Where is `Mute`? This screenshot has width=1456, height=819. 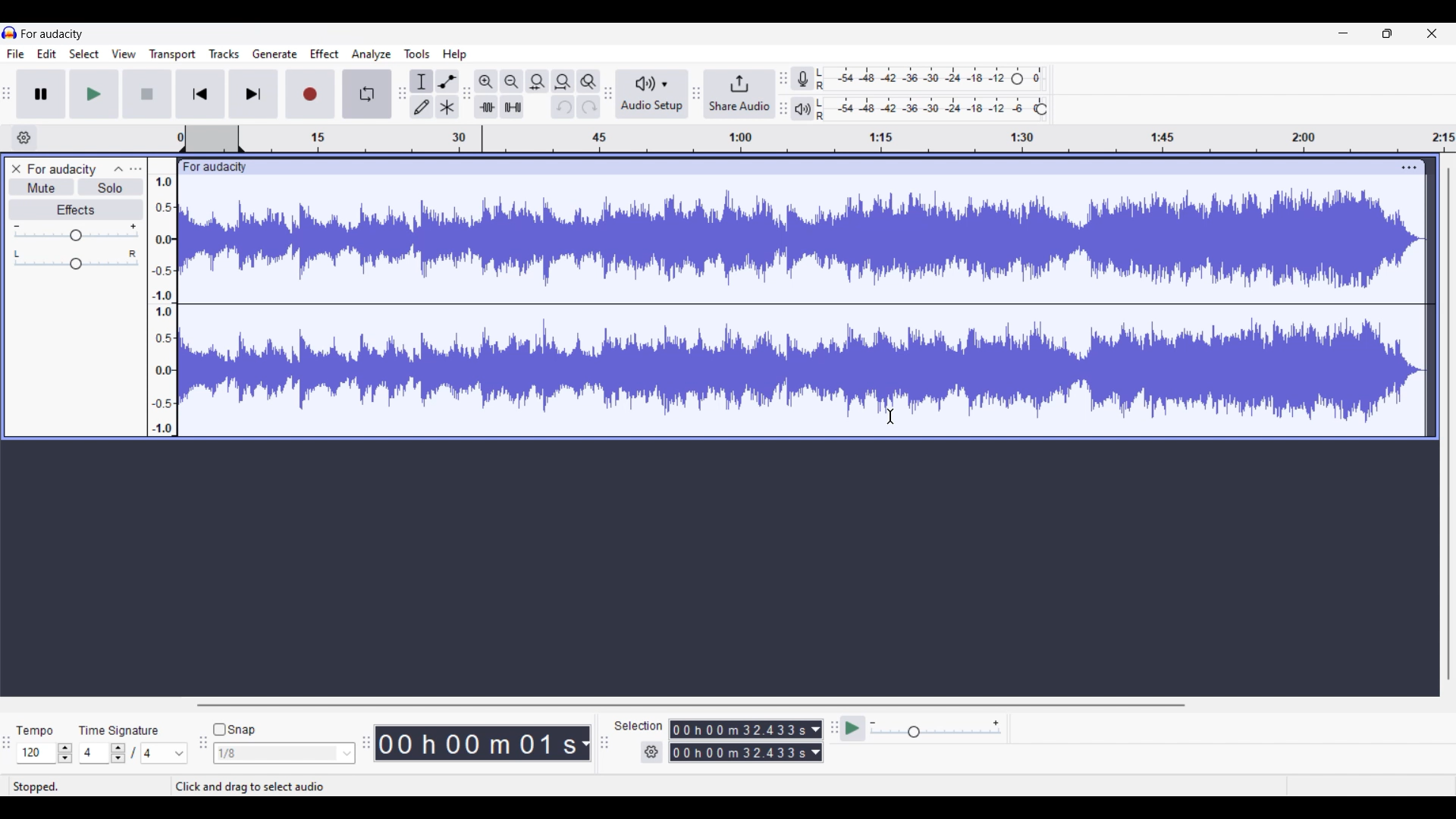 Mute is located at coordinates (43, 189).